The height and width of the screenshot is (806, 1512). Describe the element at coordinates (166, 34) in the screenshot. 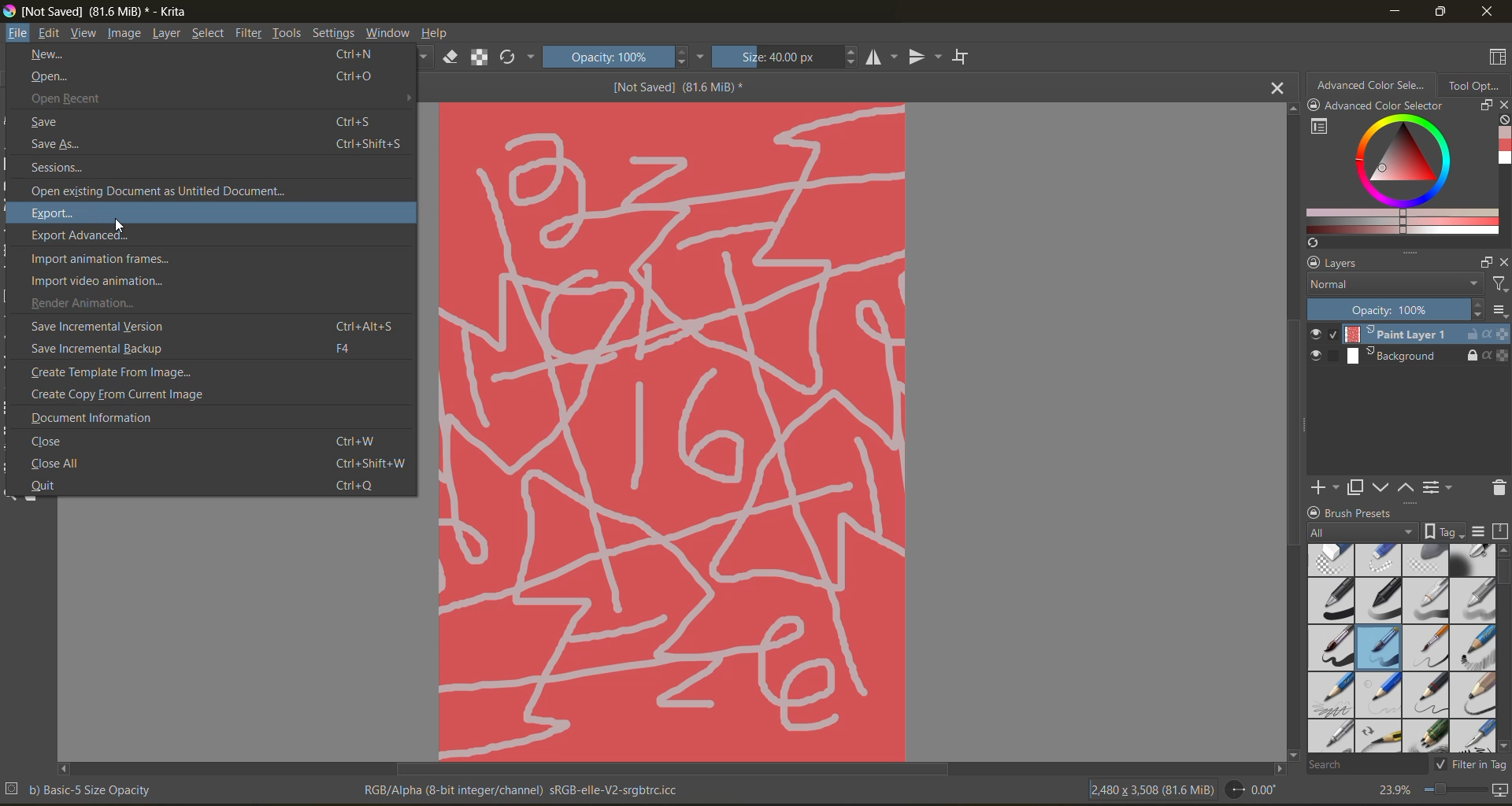

I see `layer` at that location.